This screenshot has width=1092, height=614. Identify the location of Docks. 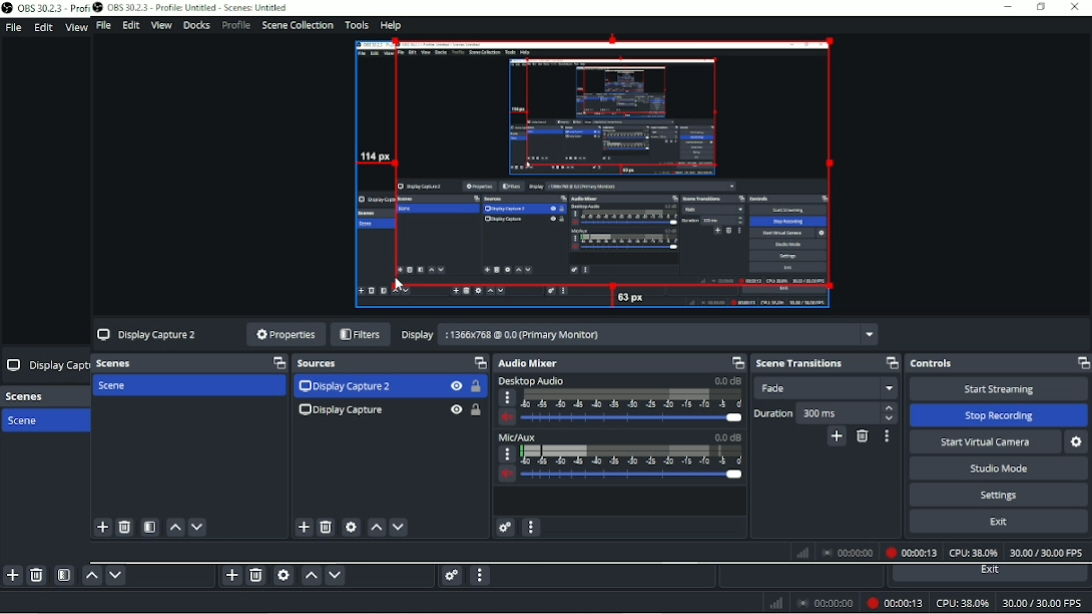
(198, 26).